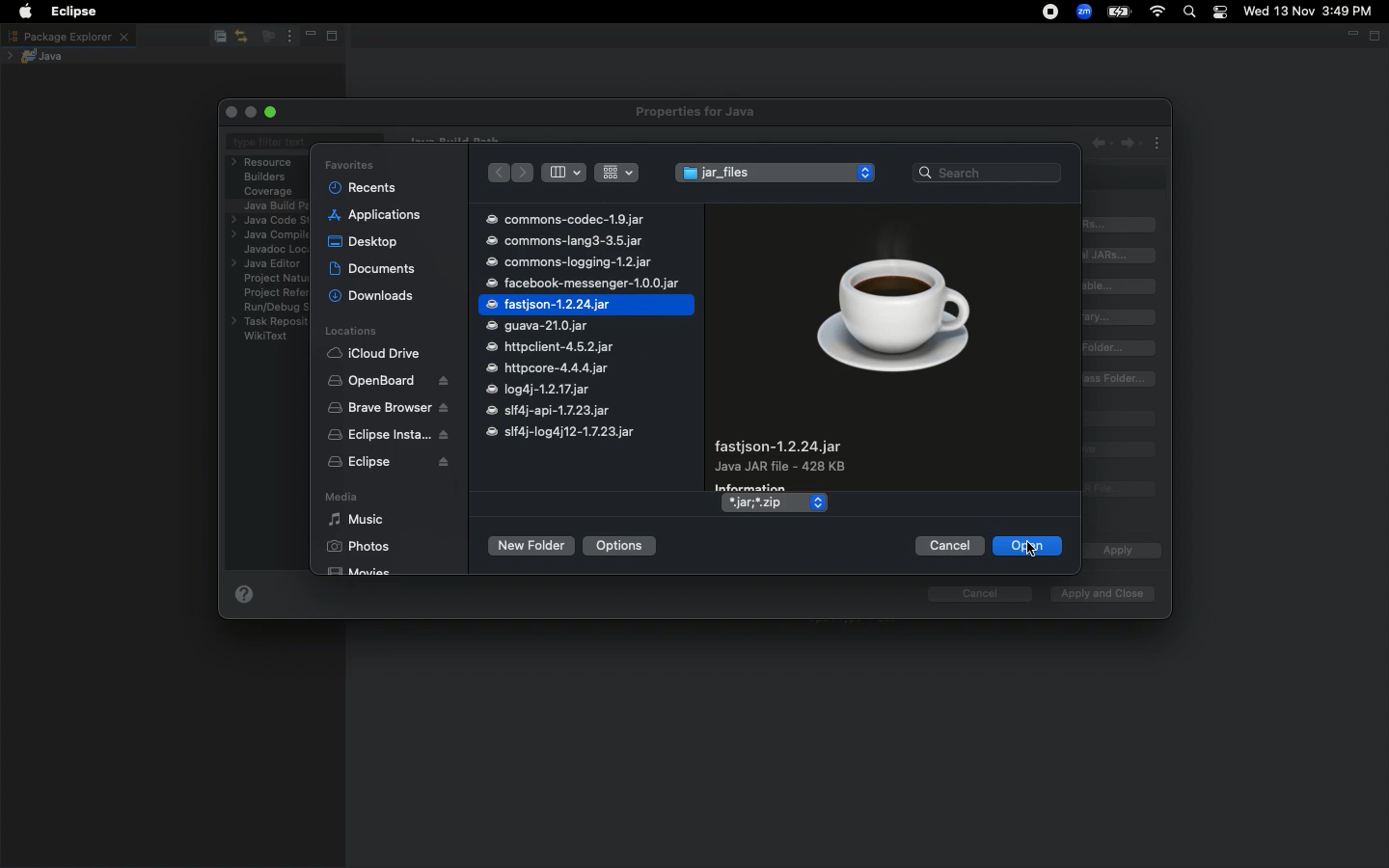 The width and height of the screenshot is (1389, 868). Describe the element at coordinates (525, 173) in the screenshot. I see `Forward` at that location.